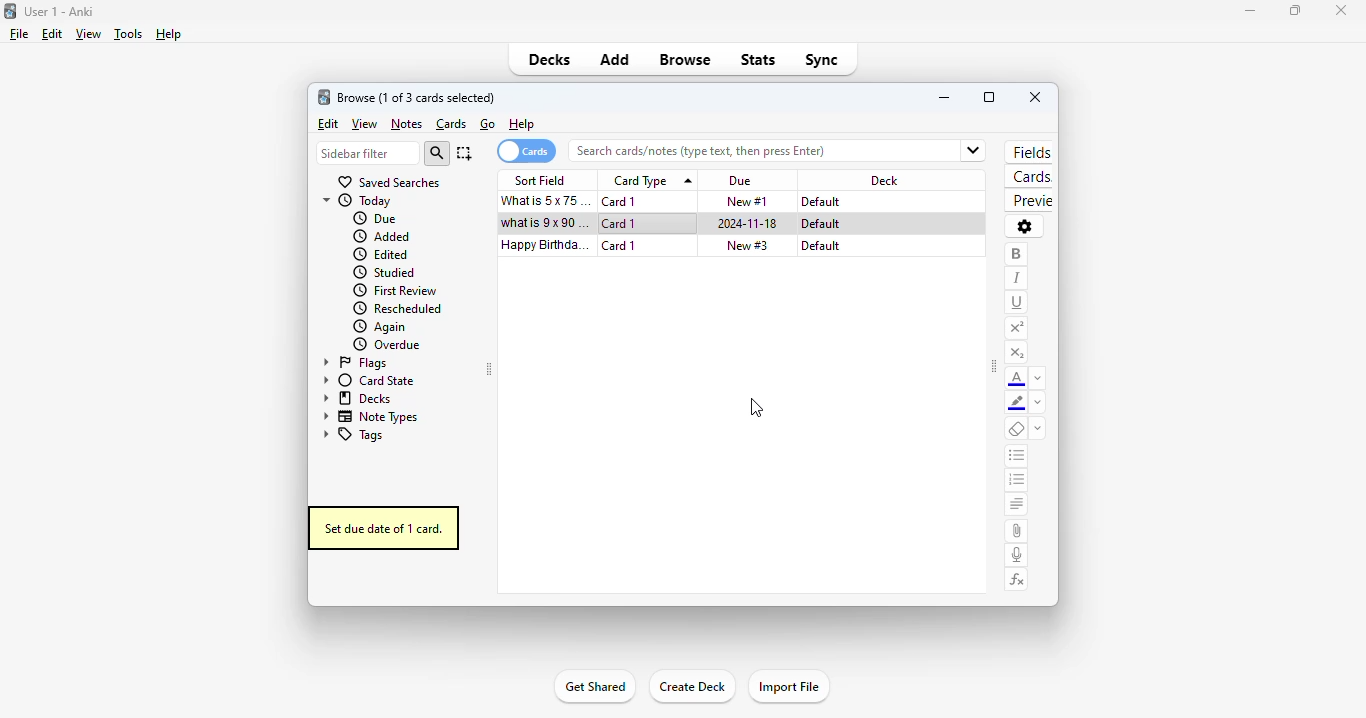 This screenshot has height=718, width=1366. Describe the element at coordinates (684, 59) in the screenshot. I see `browse` at that location.